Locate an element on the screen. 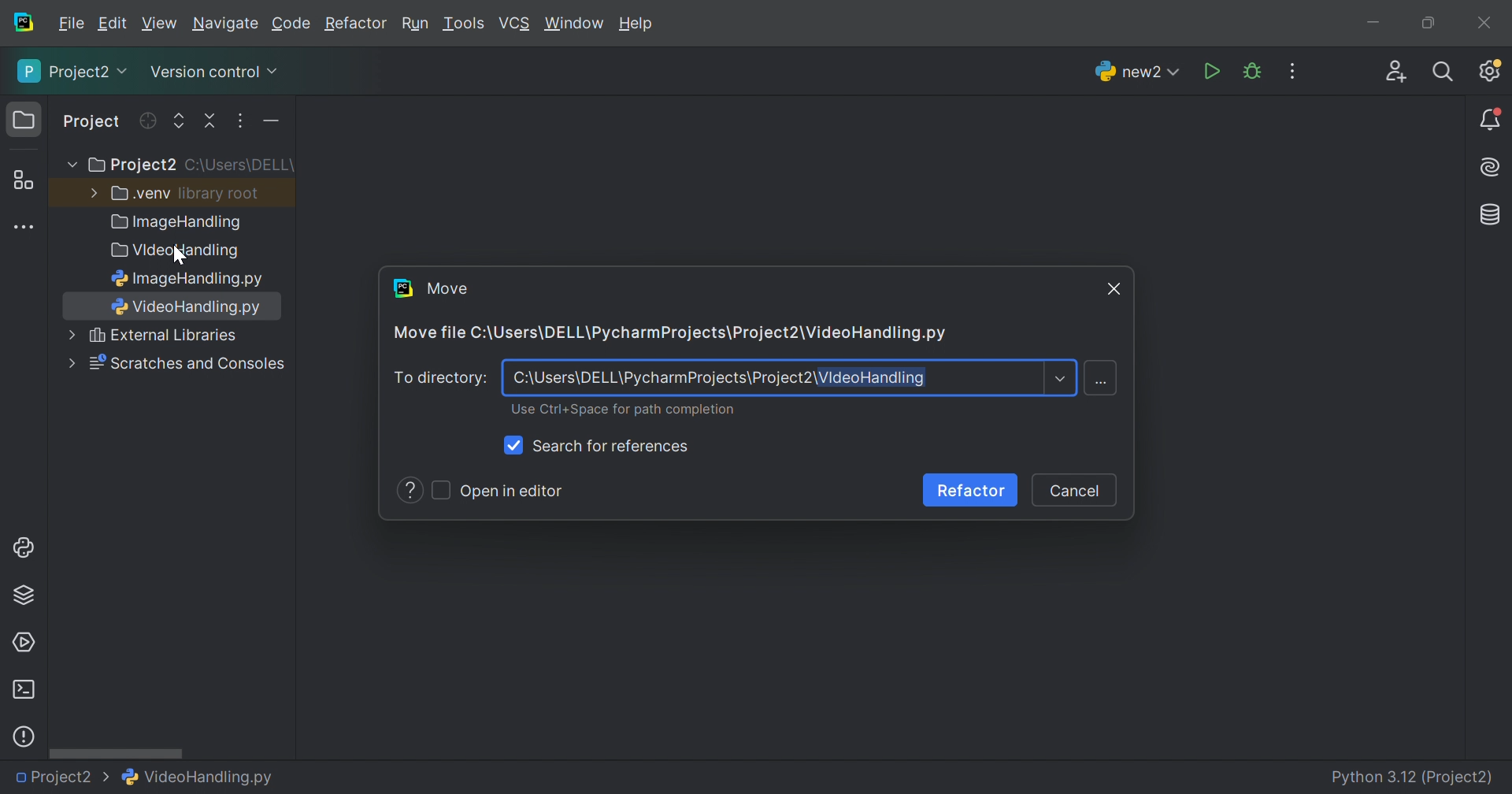  Terminal is located at coordinates (23, 690).